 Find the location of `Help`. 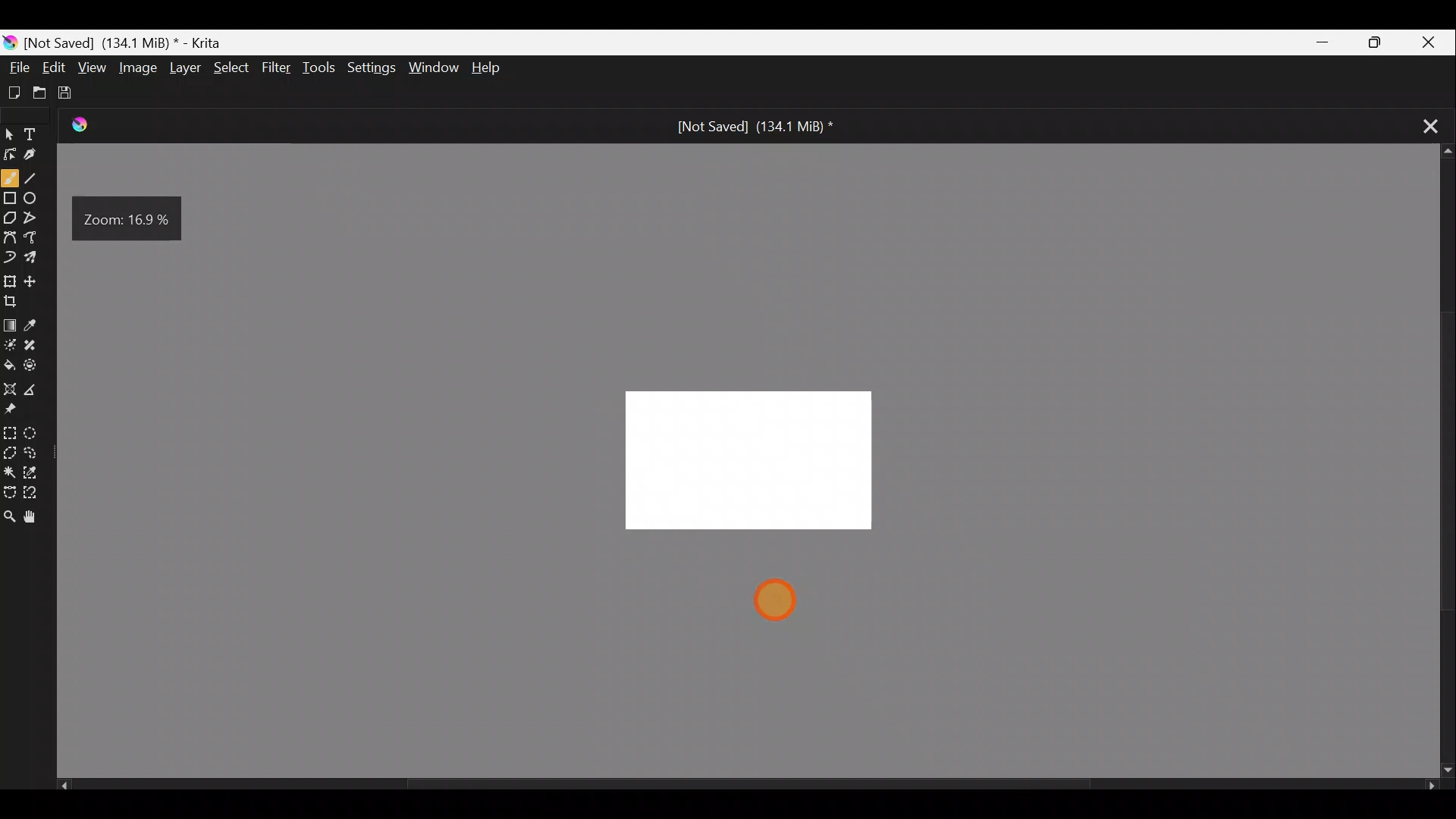

Help is located at coordinates (487, 65).